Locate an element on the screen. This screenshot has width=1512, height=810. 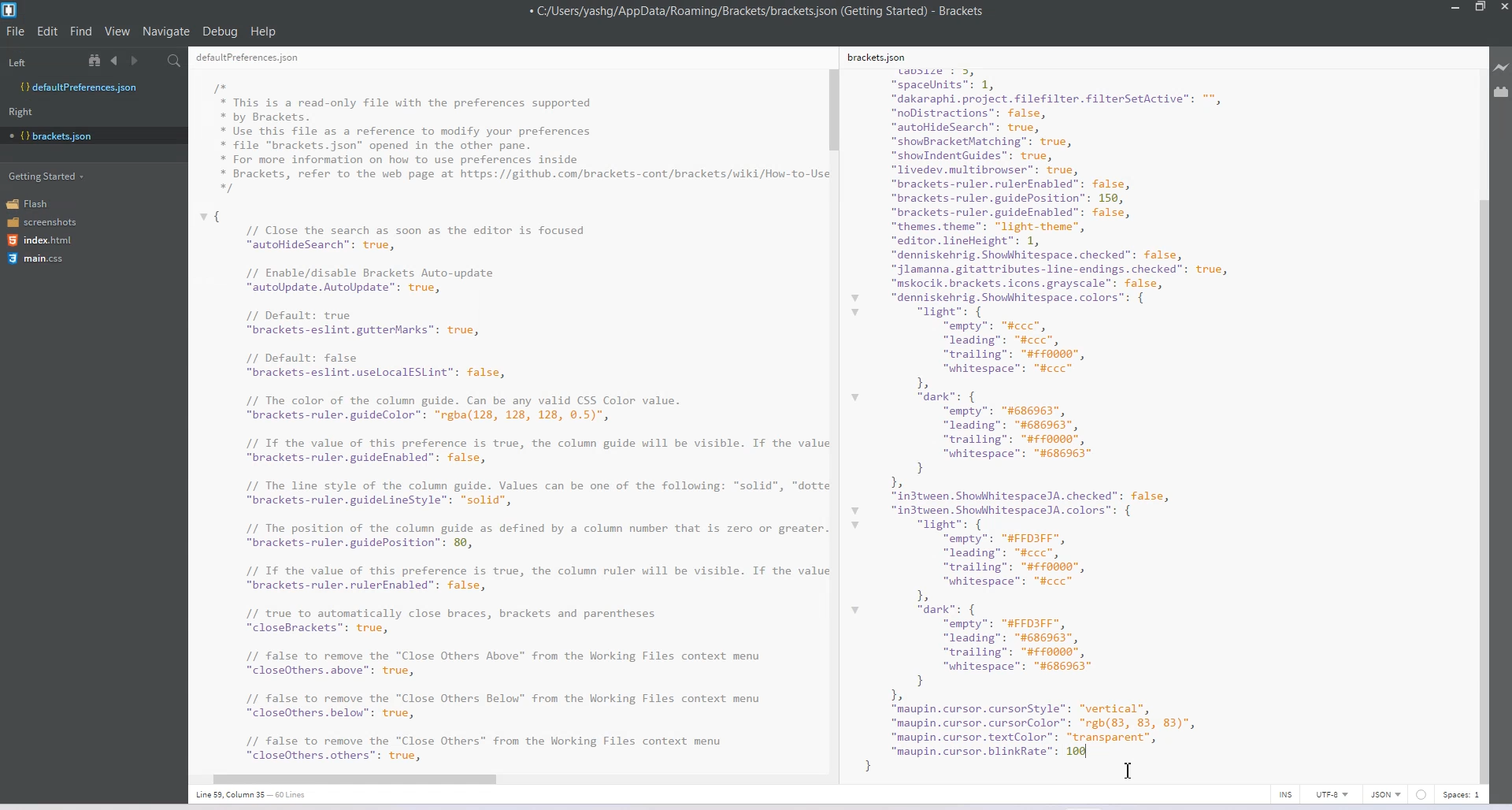
UTF-8 is located at coordinates (1332, 794).